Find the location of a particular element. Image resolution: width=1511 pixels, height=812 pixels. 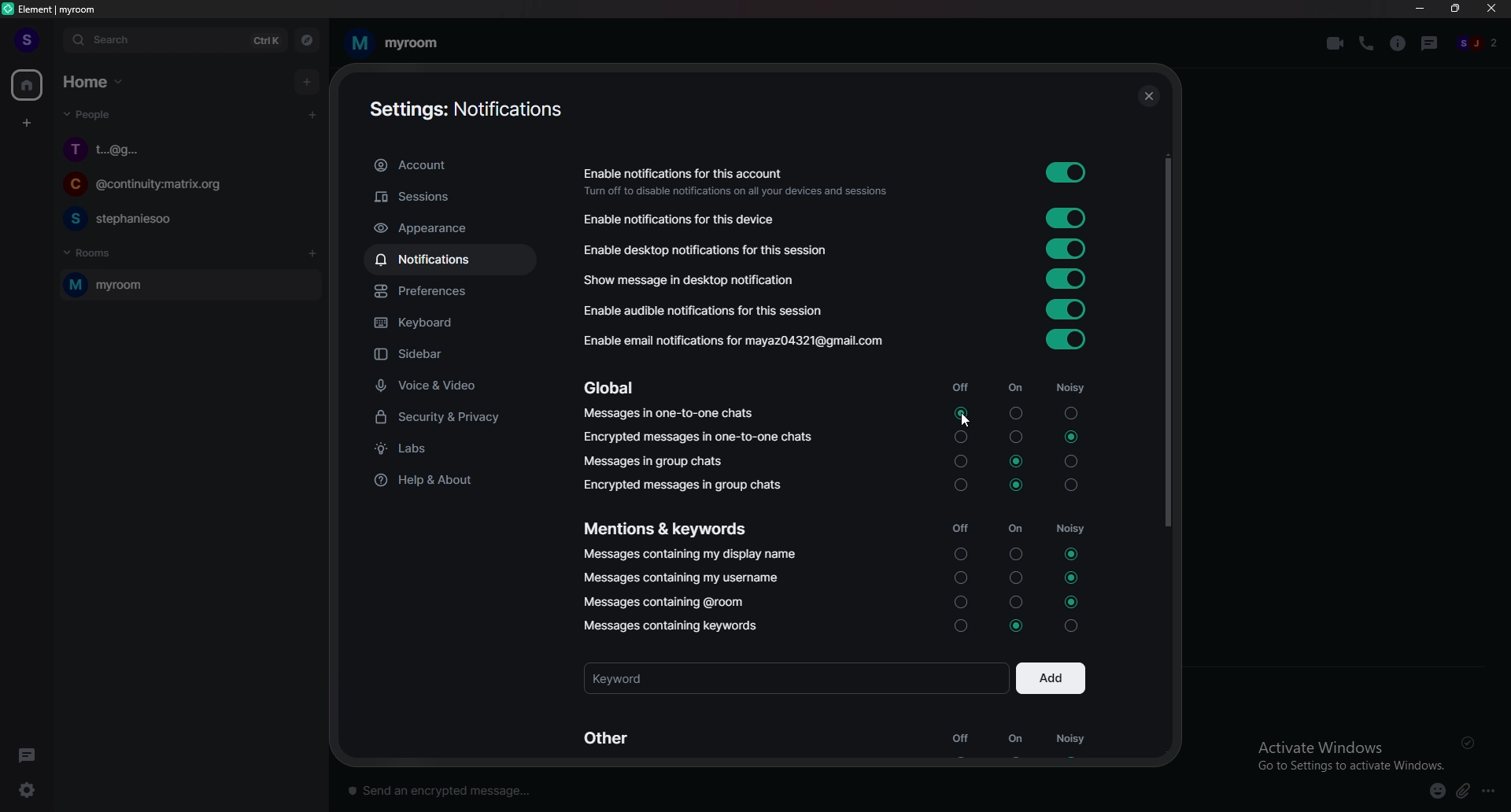

notifications is located at coordinates (448, 258).